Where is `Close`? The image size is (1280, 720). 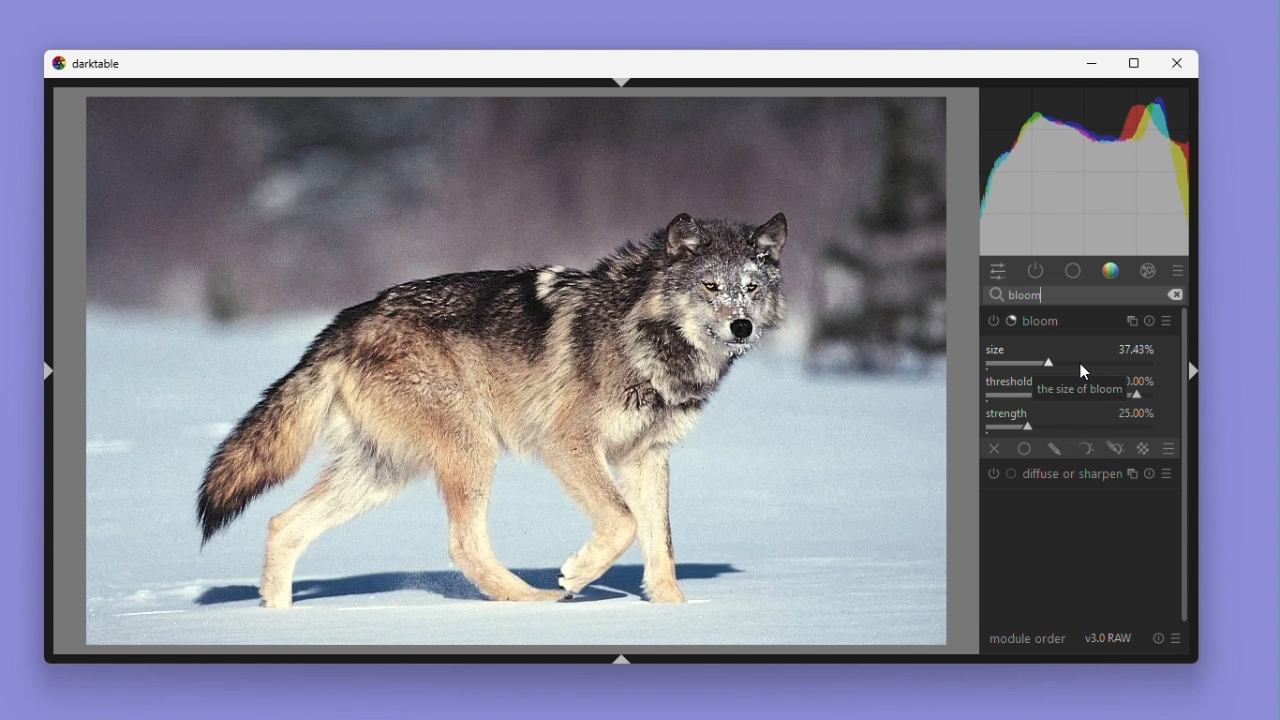 Close is located at coordinates (1173, 63).